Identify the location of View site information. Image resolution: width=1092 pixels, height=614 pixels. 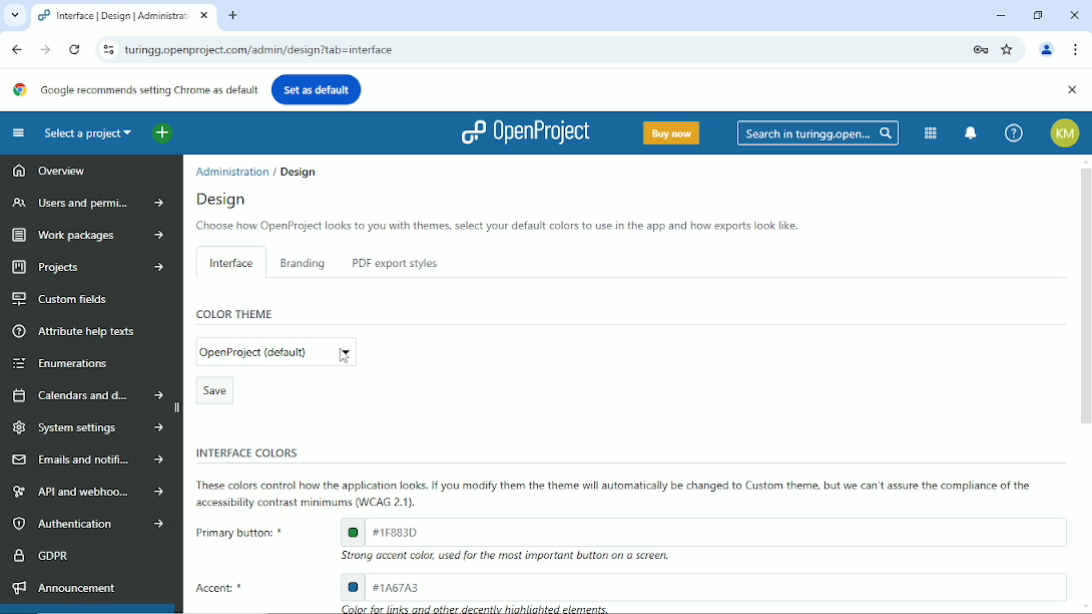
(106, 49).